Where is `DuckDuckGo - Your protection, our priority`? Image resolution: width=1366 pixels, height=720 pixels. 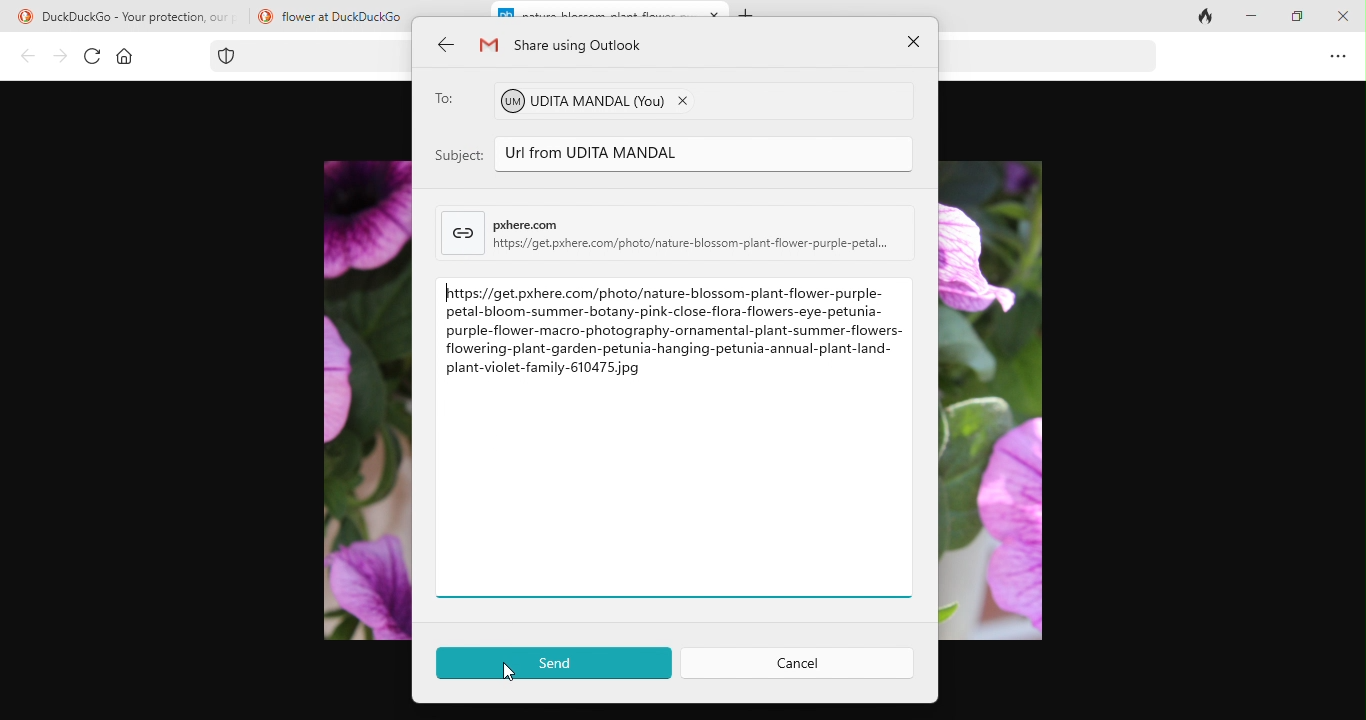
DuckDuckGo - Your protection, our priority is located at coordinates (144, 17).